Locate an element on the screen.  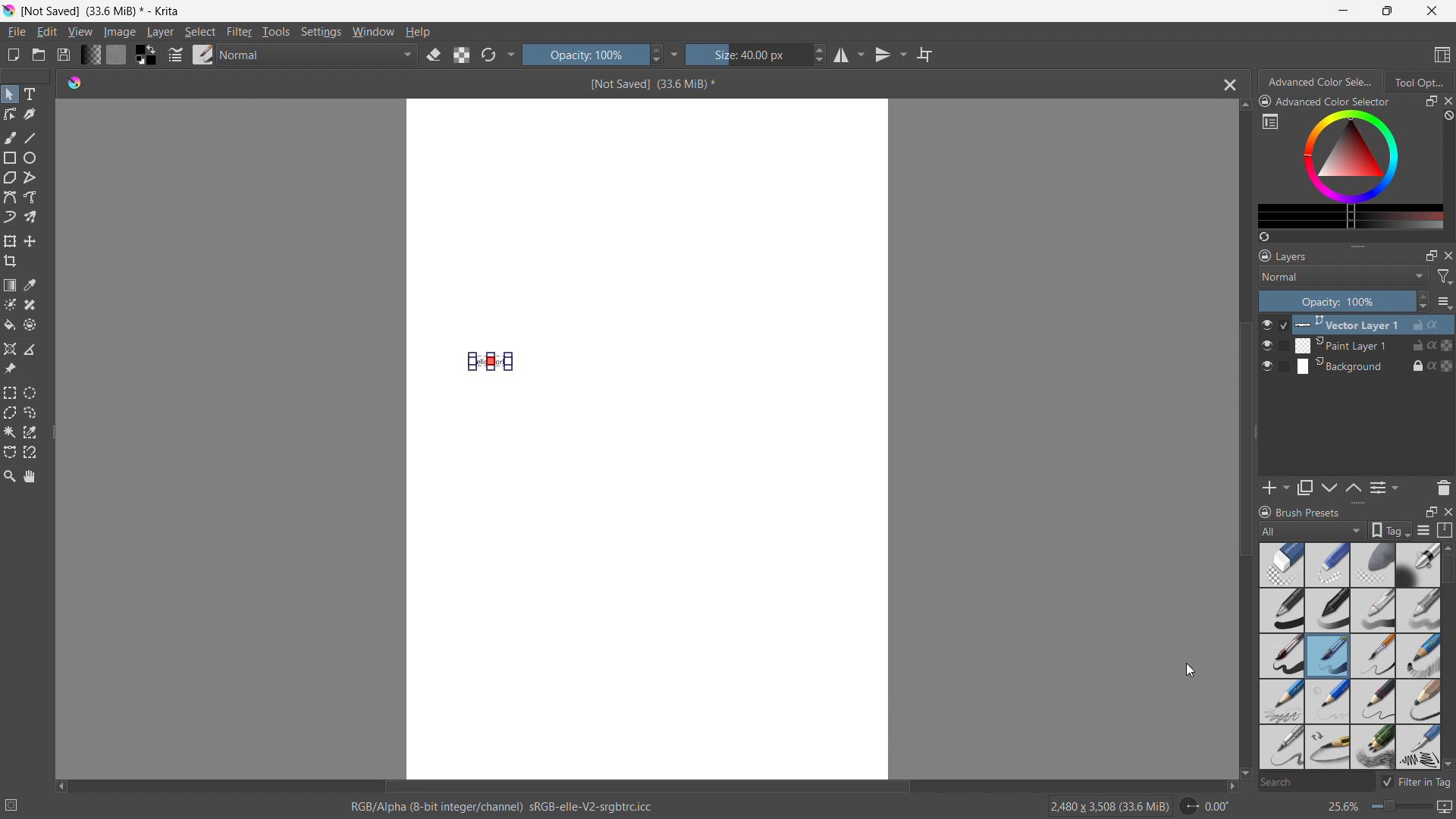
reload original preset is located at coordinates (488, 54).